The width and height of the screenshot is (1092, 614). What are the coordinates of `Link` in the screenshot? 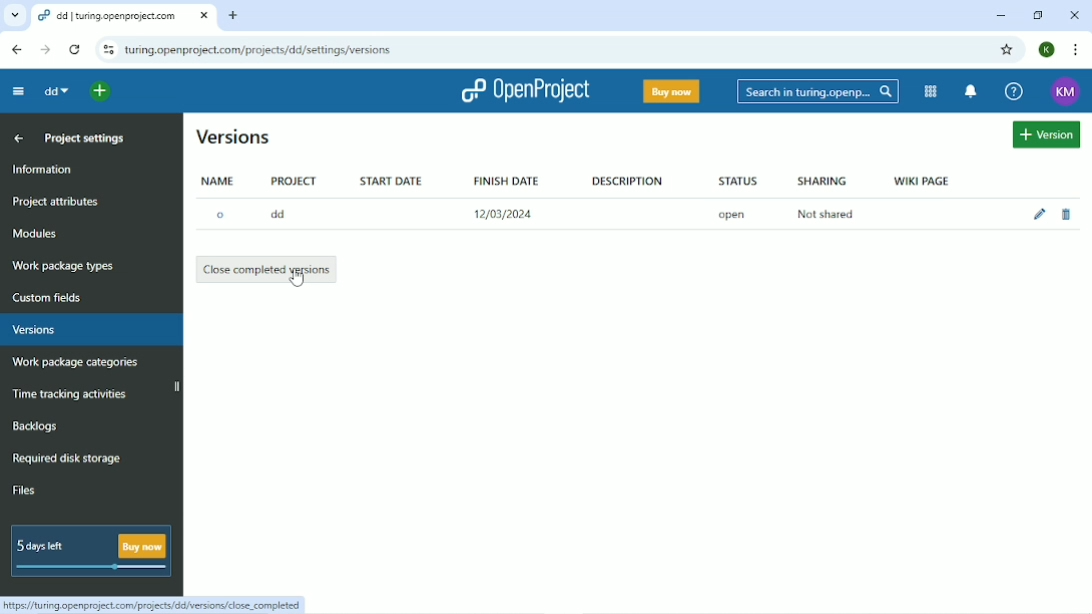 It's located at (158, 605).